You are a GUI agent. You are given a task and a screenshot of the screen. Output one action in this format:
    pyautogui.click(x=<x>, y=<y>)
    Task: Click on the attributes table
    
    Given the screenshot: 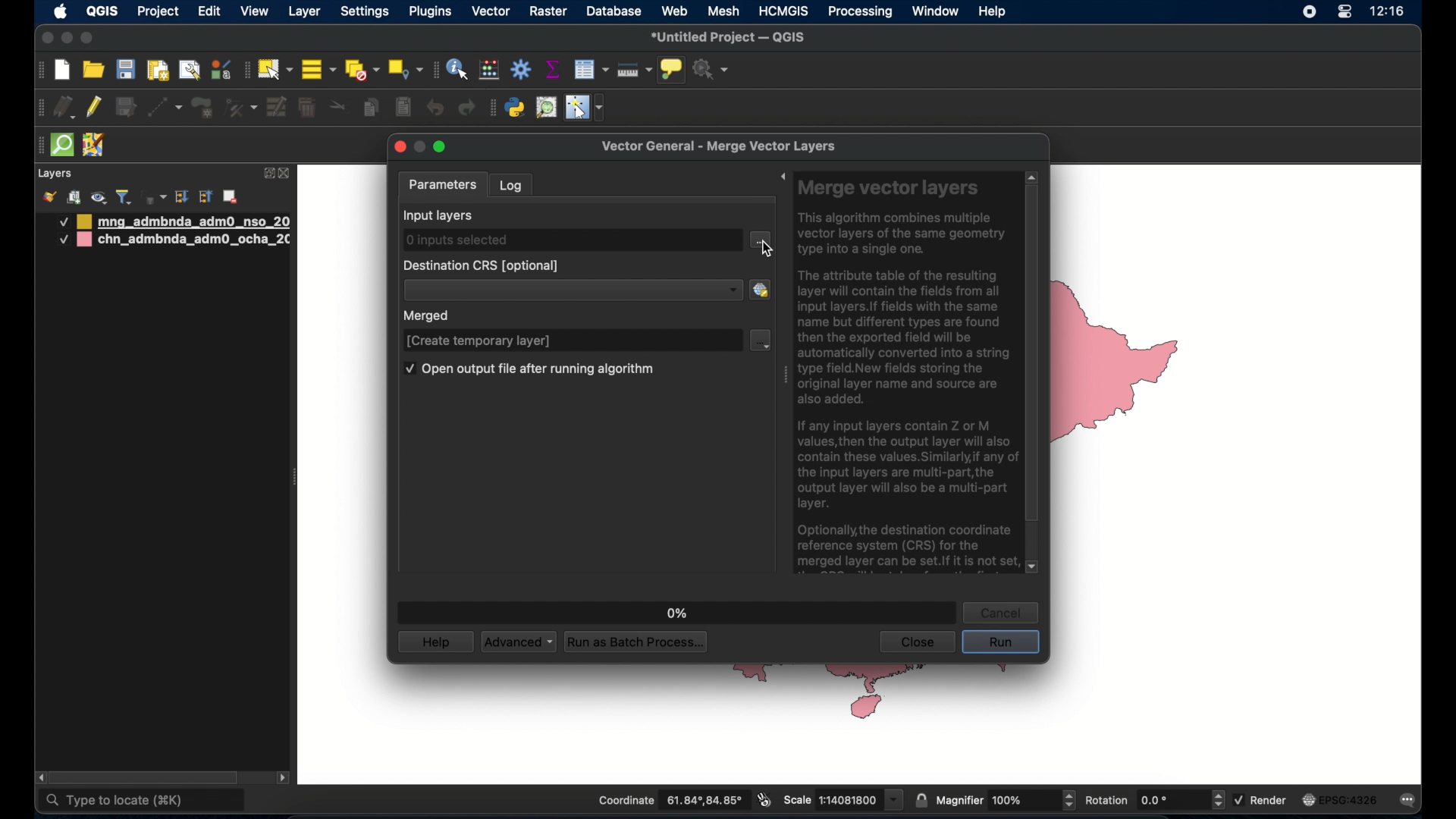 What is the action you would take?
    pyautogui.click(x=591, y=69)
    